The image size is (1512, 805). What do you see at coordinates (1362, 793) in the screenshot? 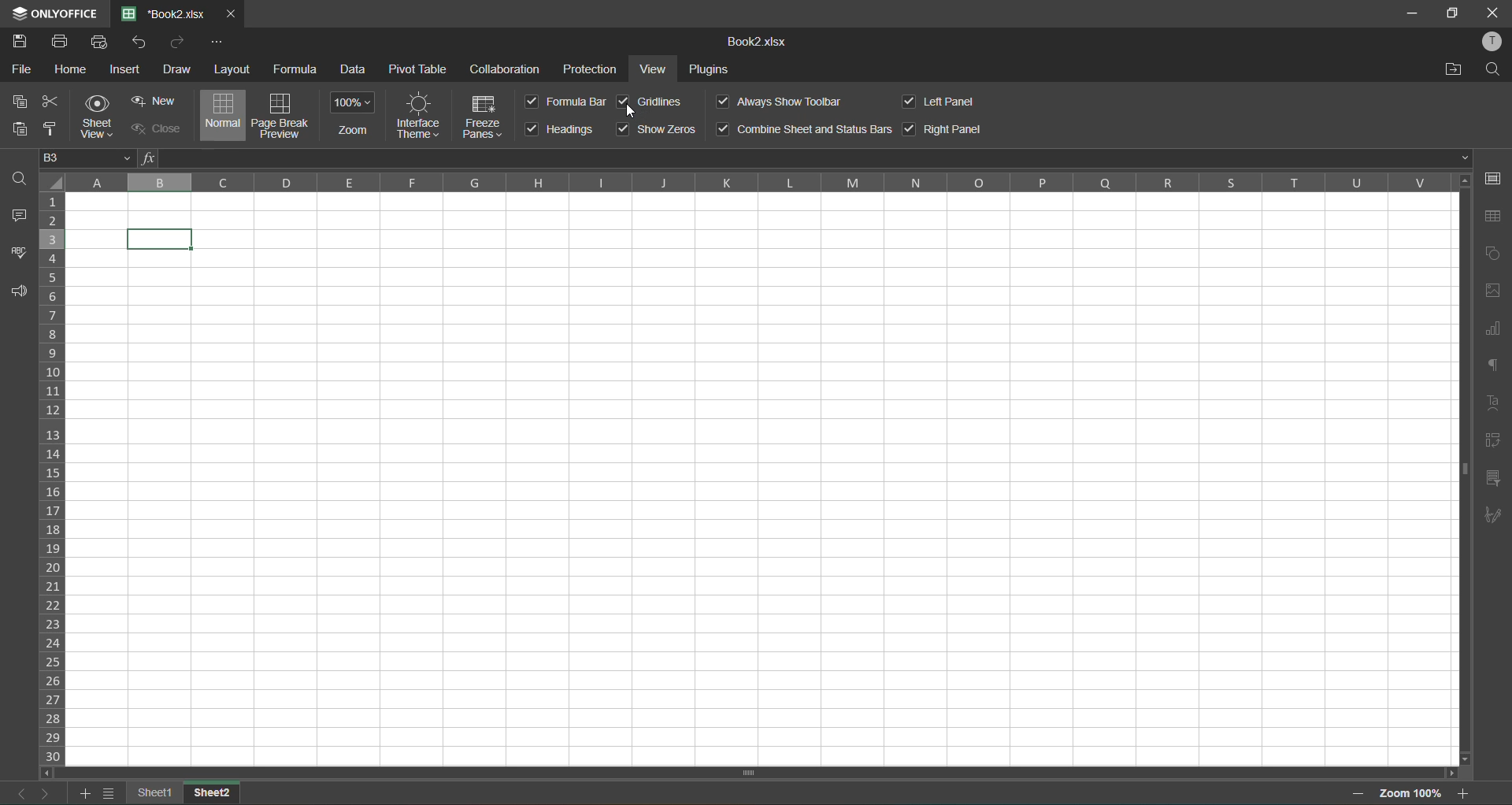
I see `zoom out` at bounding box center [1362, 793].